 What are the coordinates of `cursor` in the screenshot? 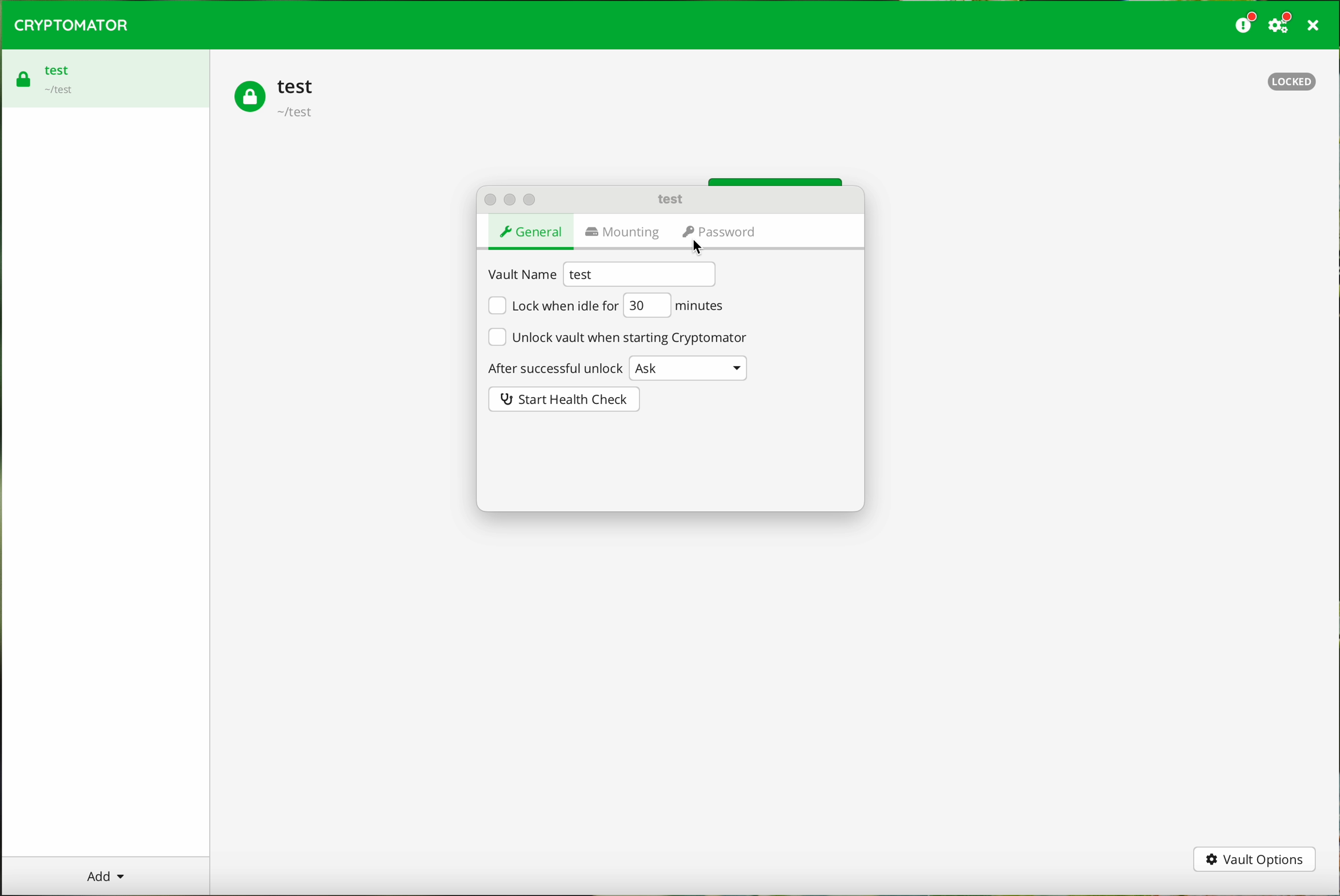 It's located at (702, 246).